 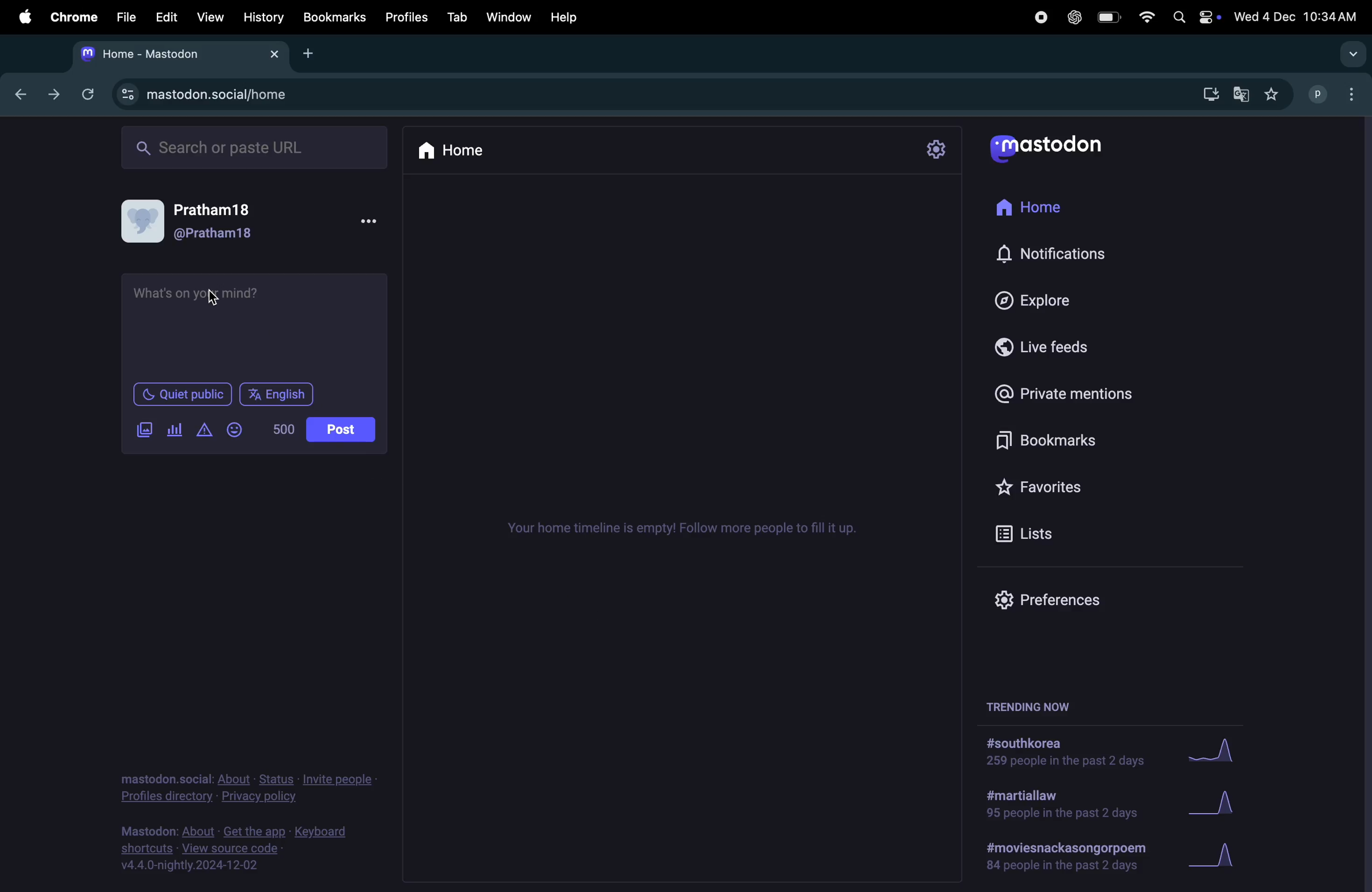 What do you see at coordinates (205, 221) in the screenshot?
I see `user profile` at bounding box center [205, 221].